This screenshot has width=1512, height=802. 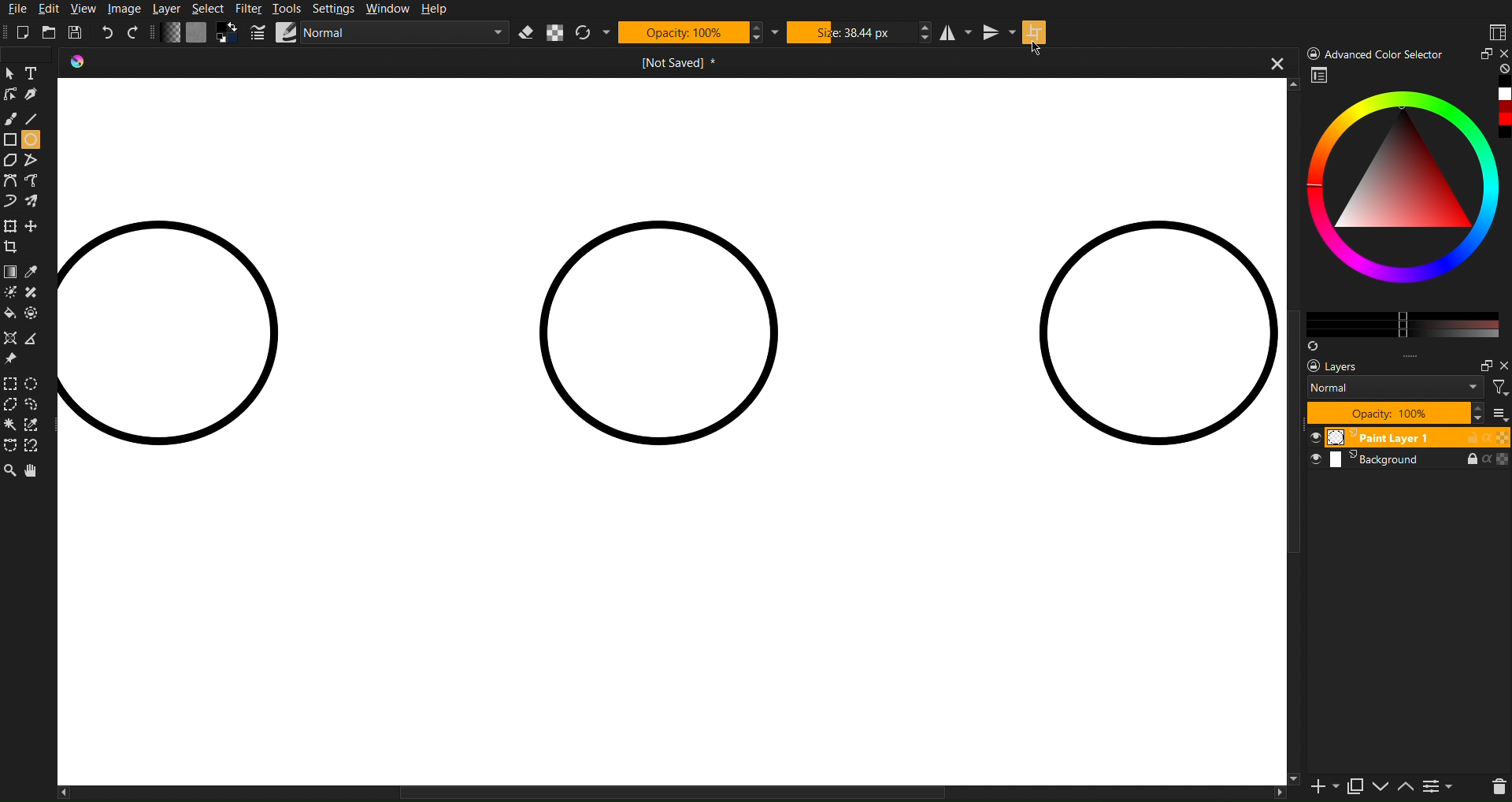 What do you see at coordinates (34, 229) in the screenshot?
I see `free crop` at bounding box center [34, 229].